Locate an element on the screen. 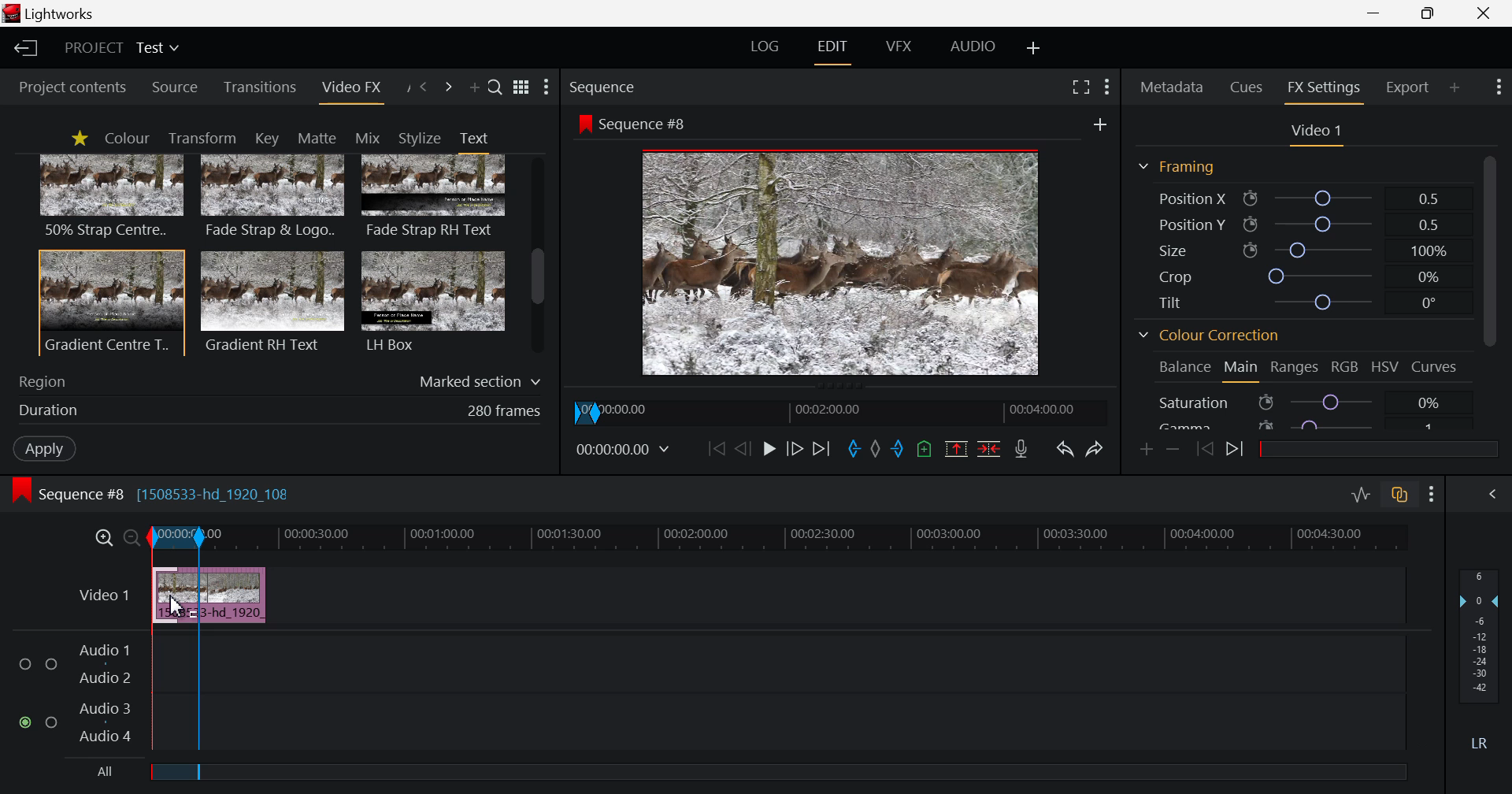 The width and height of the screenshot is (1512, 794). Mark Out is located at coordinates (898, 451).